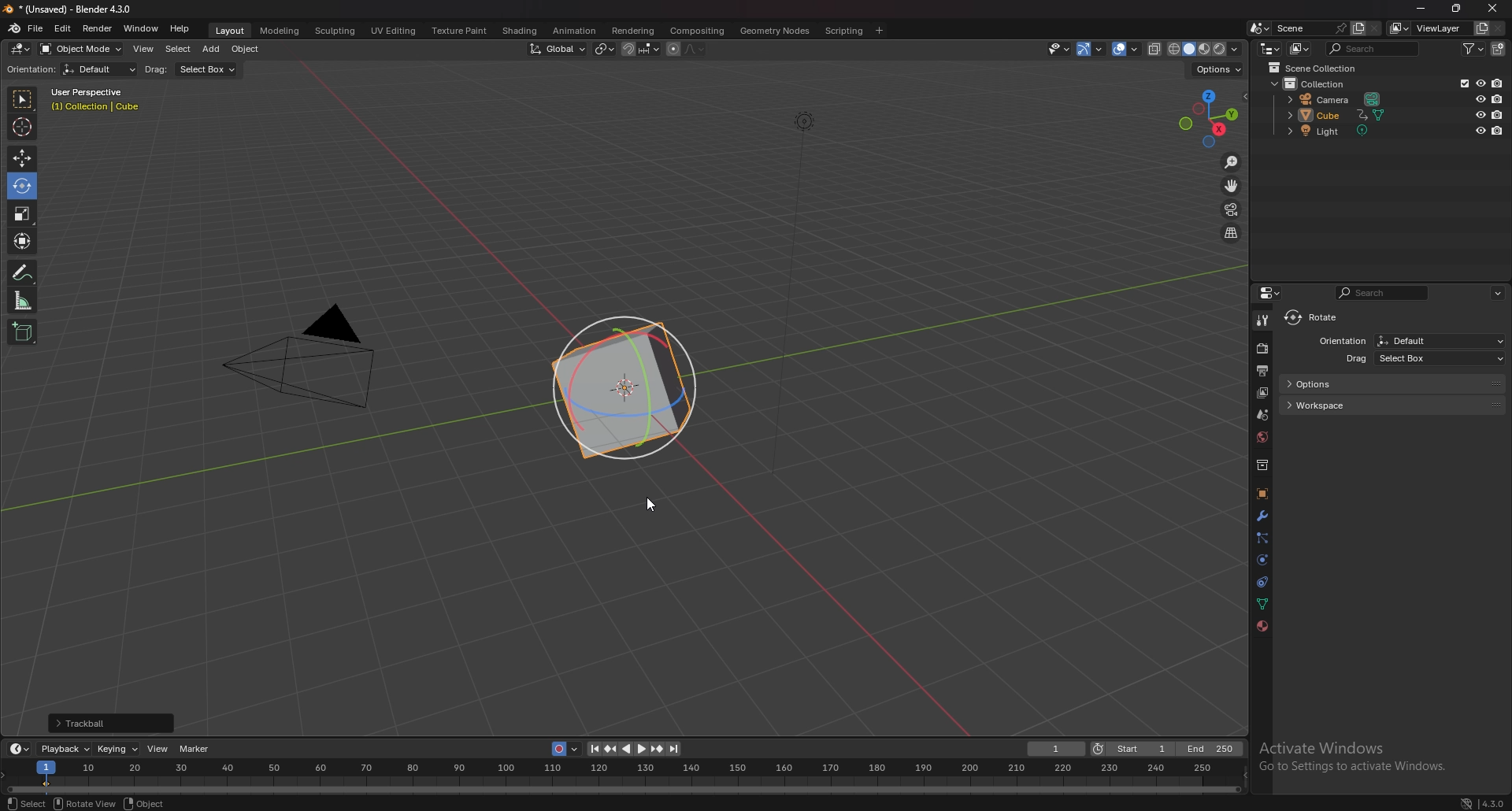 The height and width of the screenshot is (811, 1512). I want to click on Drag, so click(1355, 360).